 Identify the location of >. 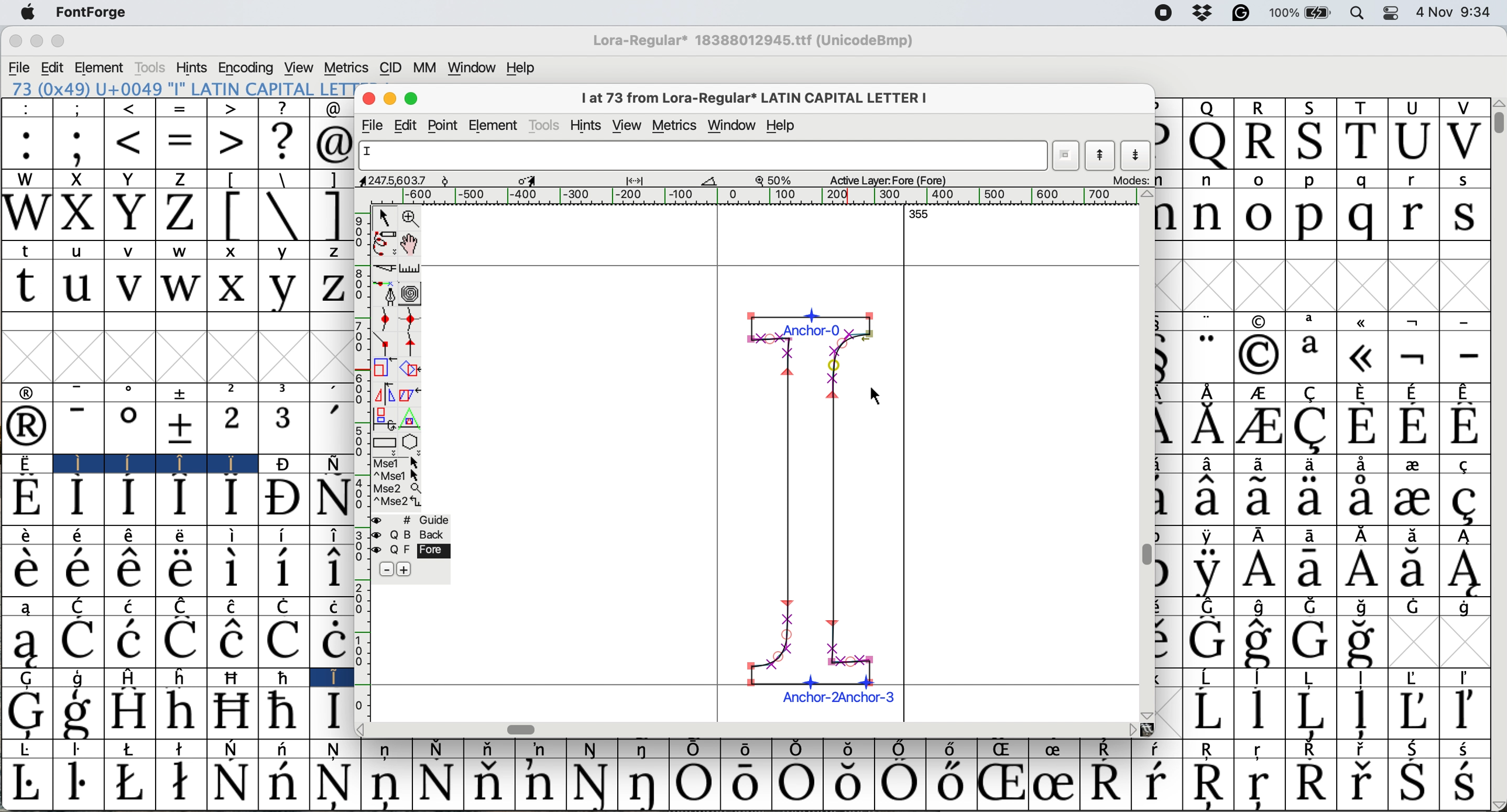
(232, 142).